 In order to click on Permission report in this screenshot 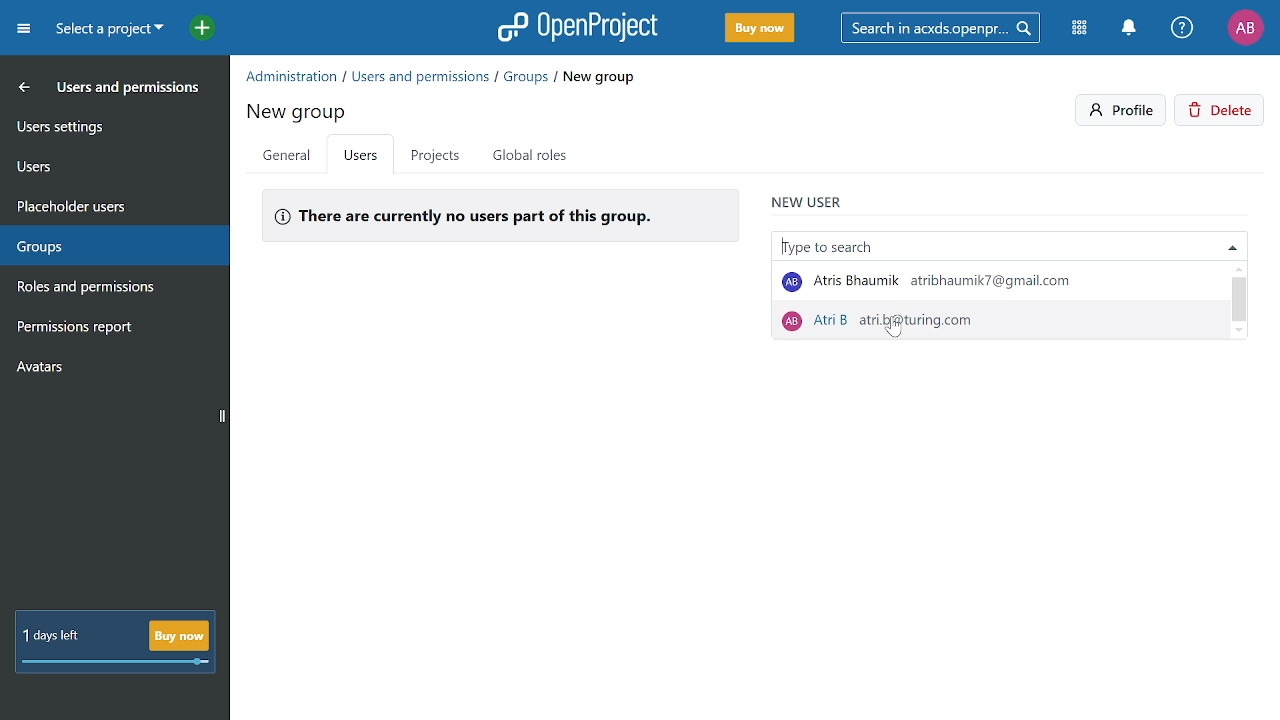, I will do `click(110, 329)`.